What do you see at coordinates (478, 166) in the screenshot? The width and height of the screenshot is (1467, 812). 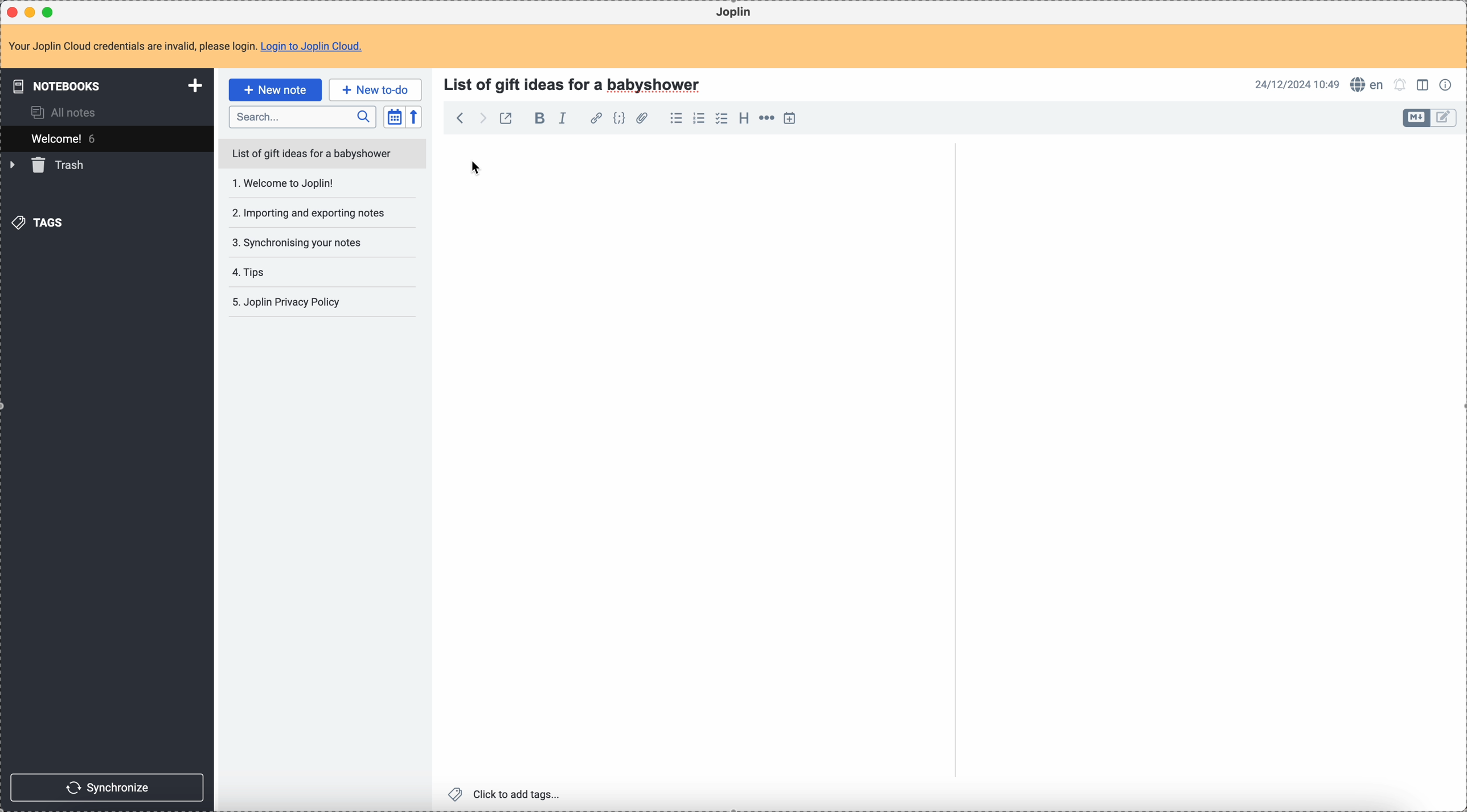 I see `cursor` at bounding box center [478, 166].